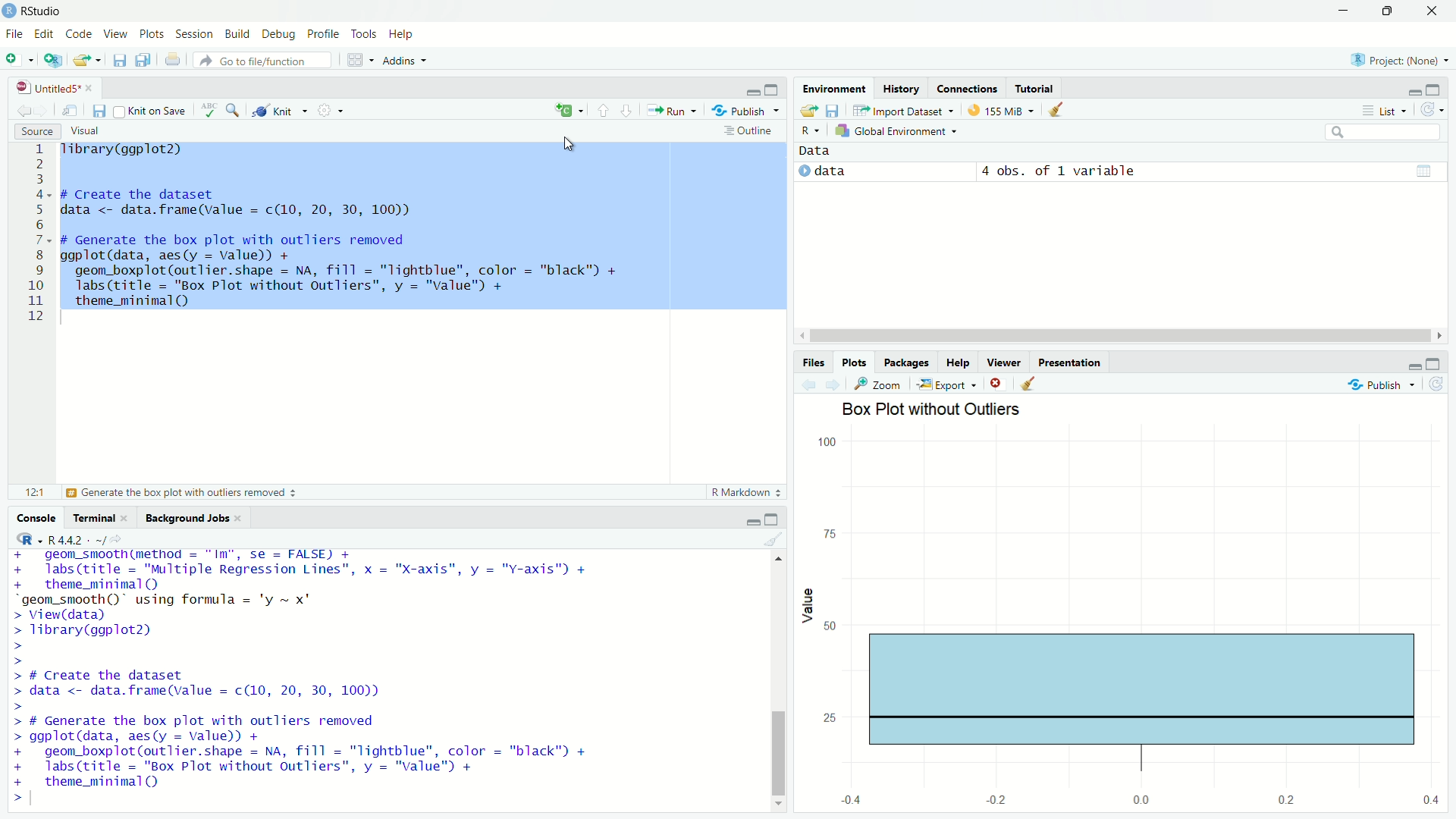 The width and height of the screenshot is (1456, 819). What do you see at coordinates (354, 64) in the screenshot?
I see `grid` at bounding box center [354, 64].